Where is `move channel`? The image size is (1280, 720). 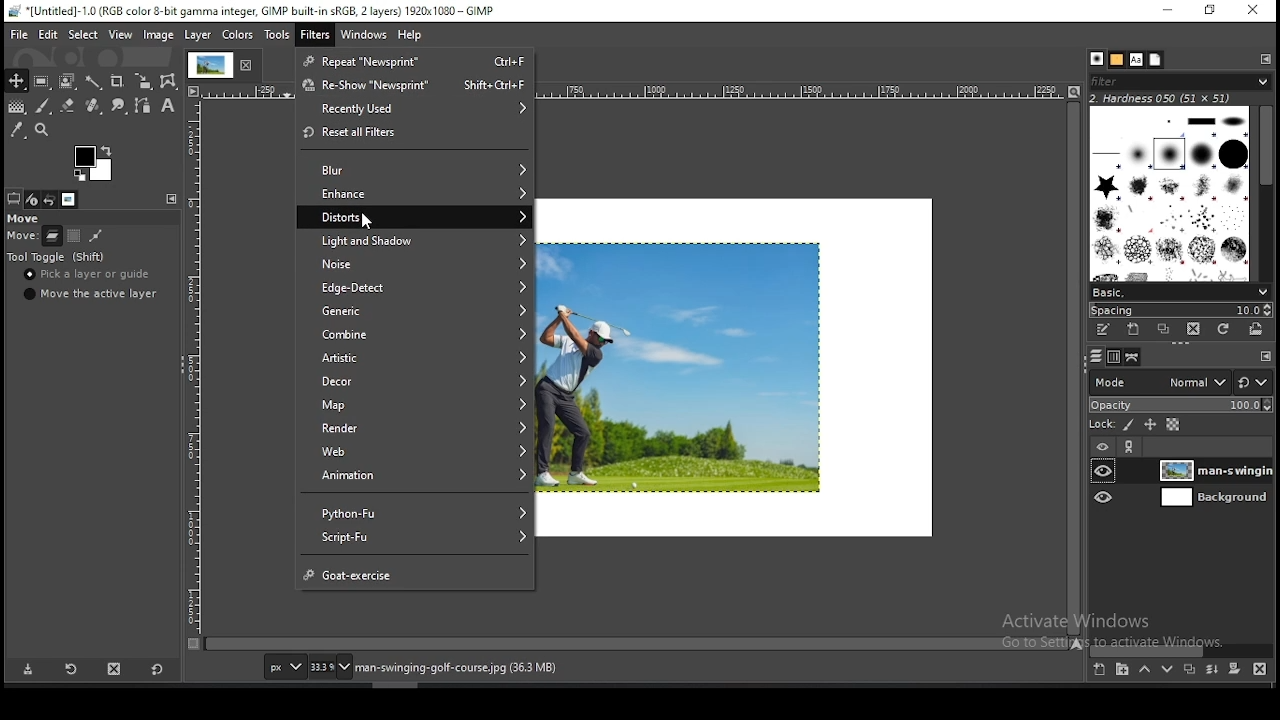 move channel is located at coordinates (76, 234).